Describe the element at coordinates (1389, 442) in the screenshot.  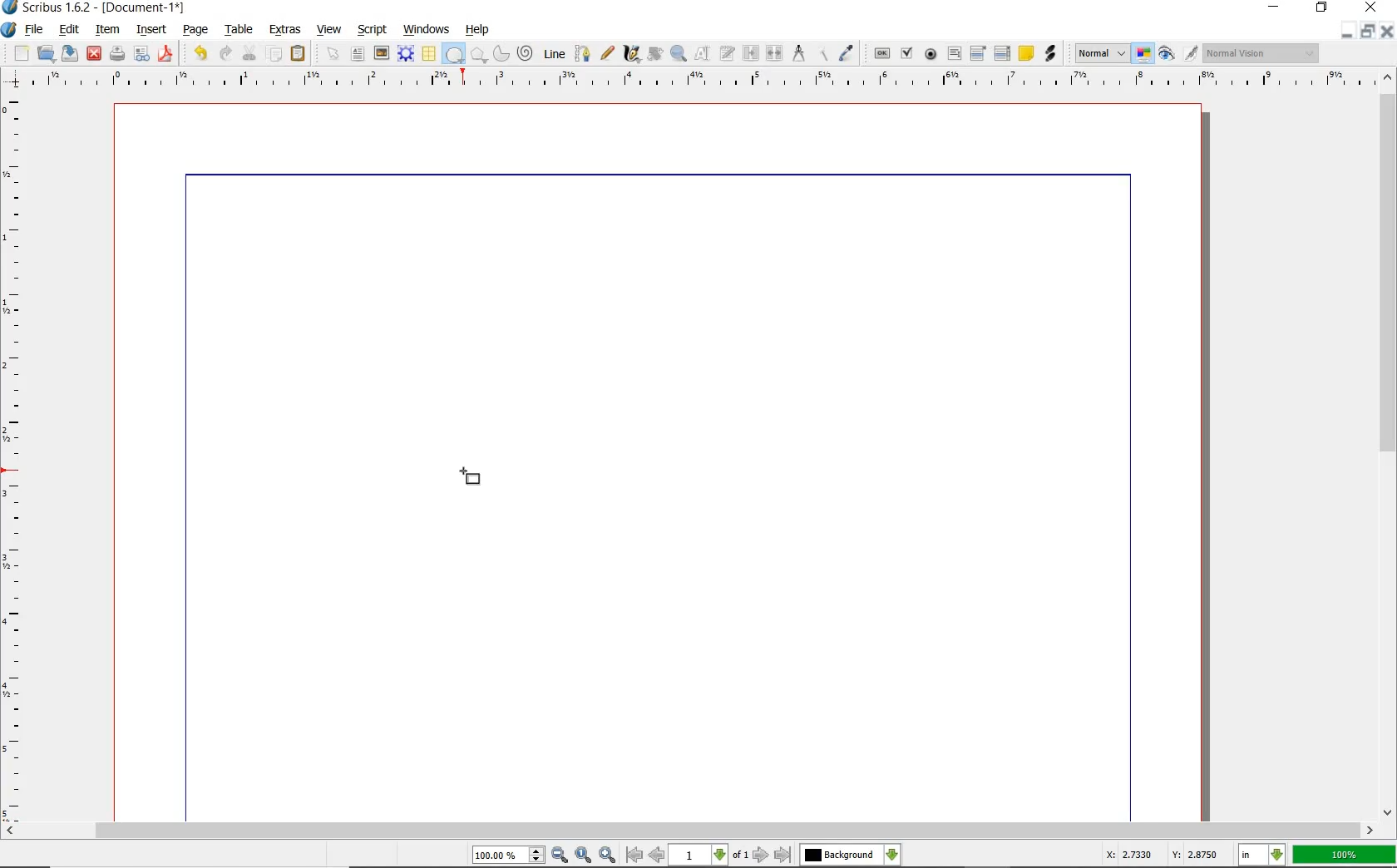
I see `SCROLLBAR` at that location.